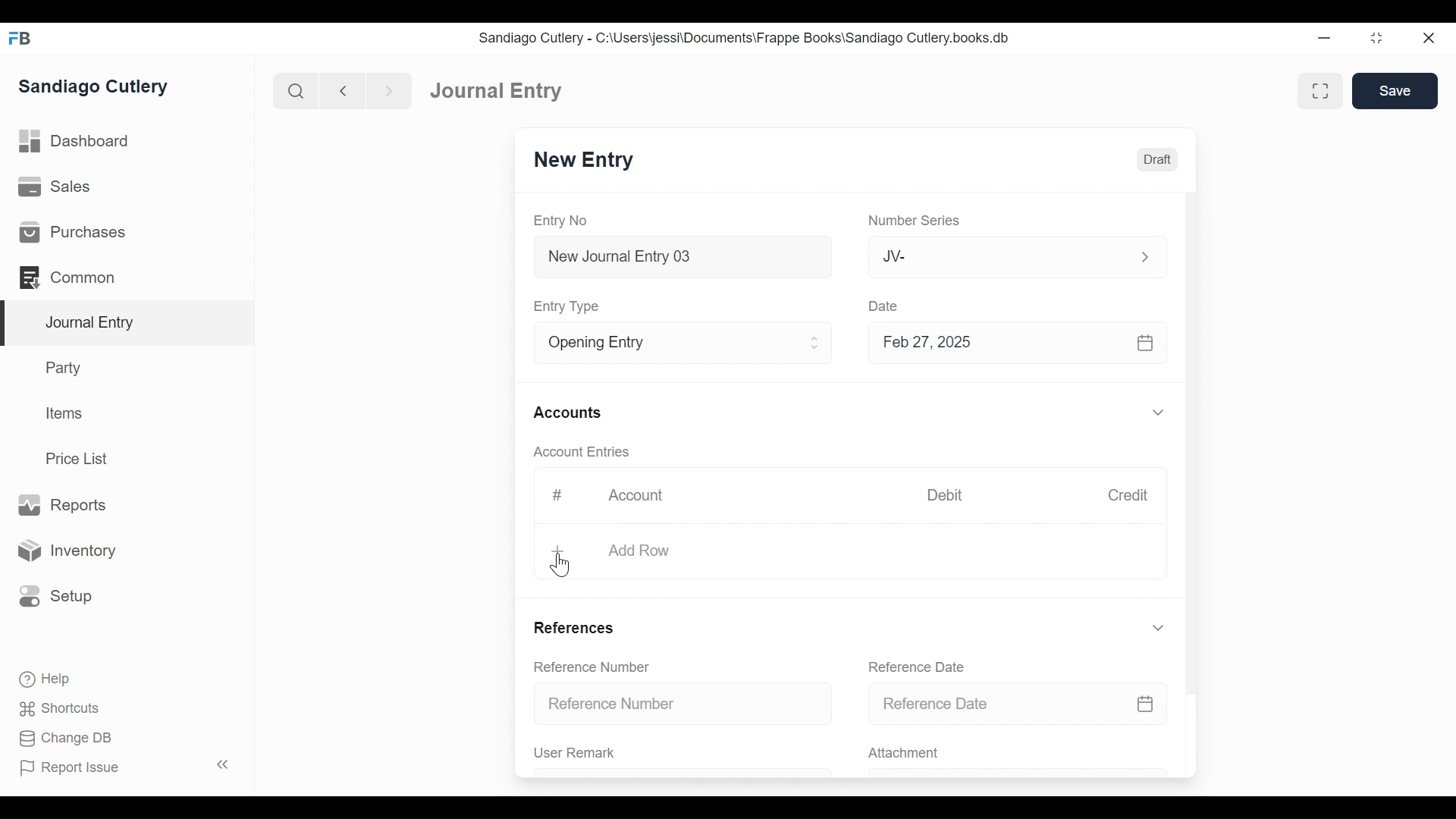  Describe the element at coordinates (679, 706) in the screenshot. I see `Reference Number` at that location.